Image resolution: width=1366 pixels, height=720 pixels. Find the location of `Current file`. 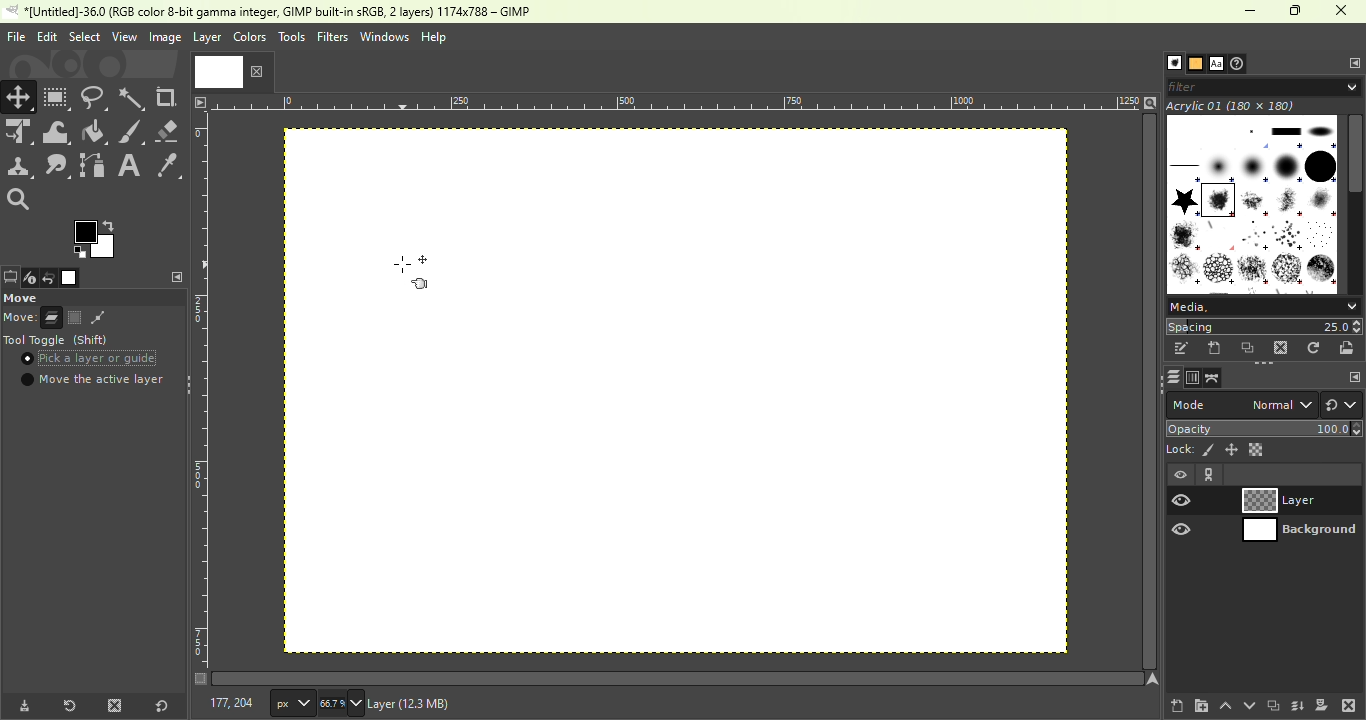

Current file is located at coordinates (231, 71).